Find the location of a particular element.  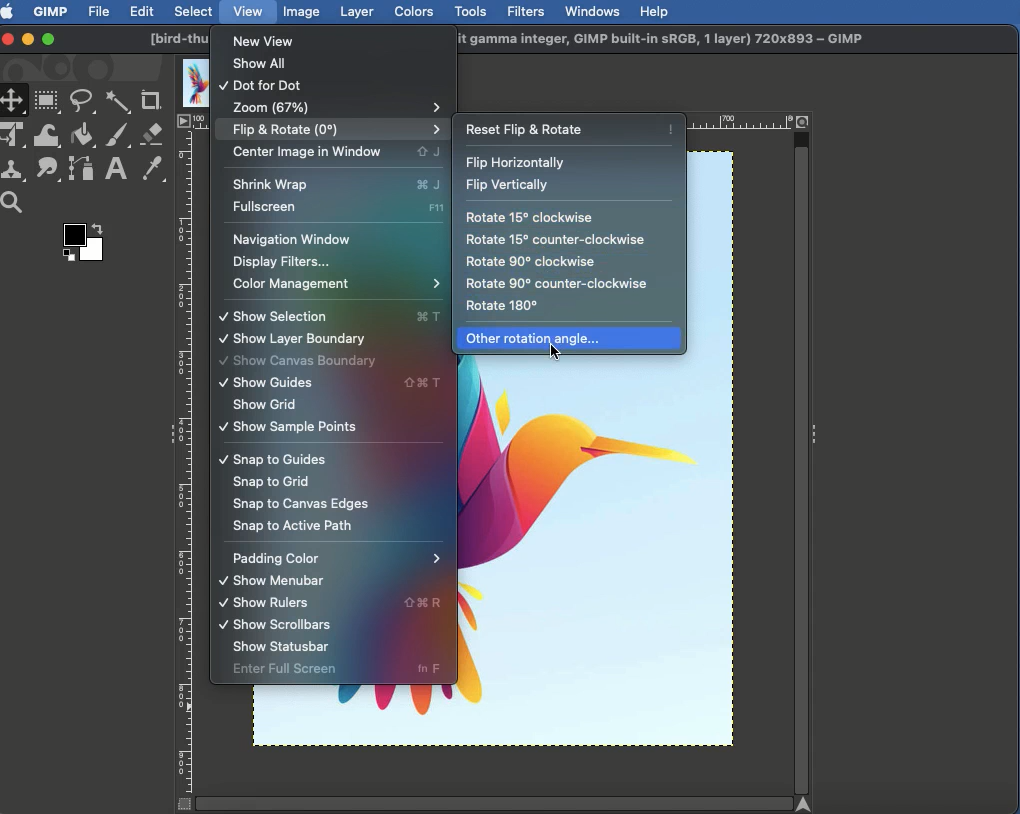

Navigation window is located at coordinates (290, 241).